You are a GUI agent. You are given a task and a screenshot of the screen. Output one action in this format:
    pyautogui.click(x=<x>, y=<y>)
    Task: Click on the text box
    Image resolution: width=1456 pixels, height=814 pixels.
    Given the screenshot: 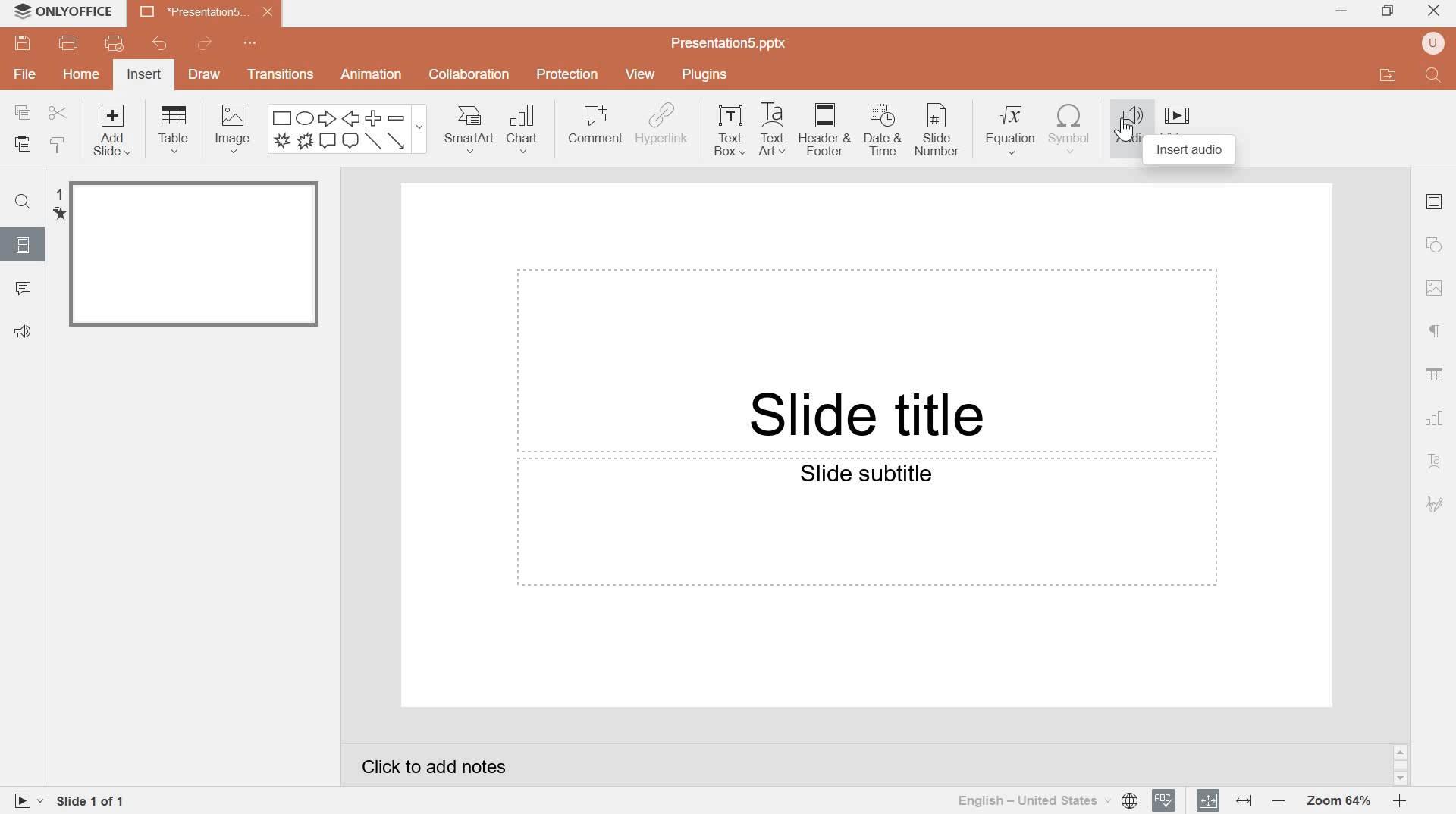 What is the action you would take?
    pyautogui.click(x=732, y=130)
    